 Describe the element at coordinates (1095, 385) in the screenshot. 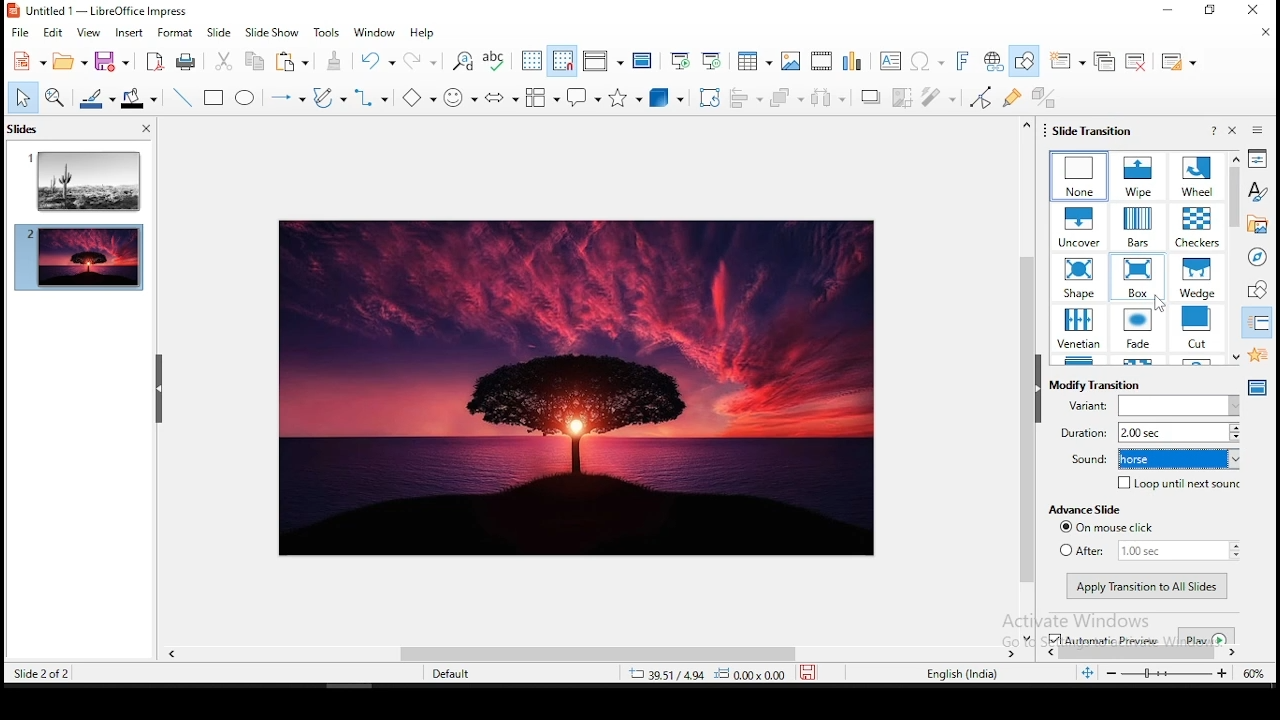

I see `modify transition` at that location.